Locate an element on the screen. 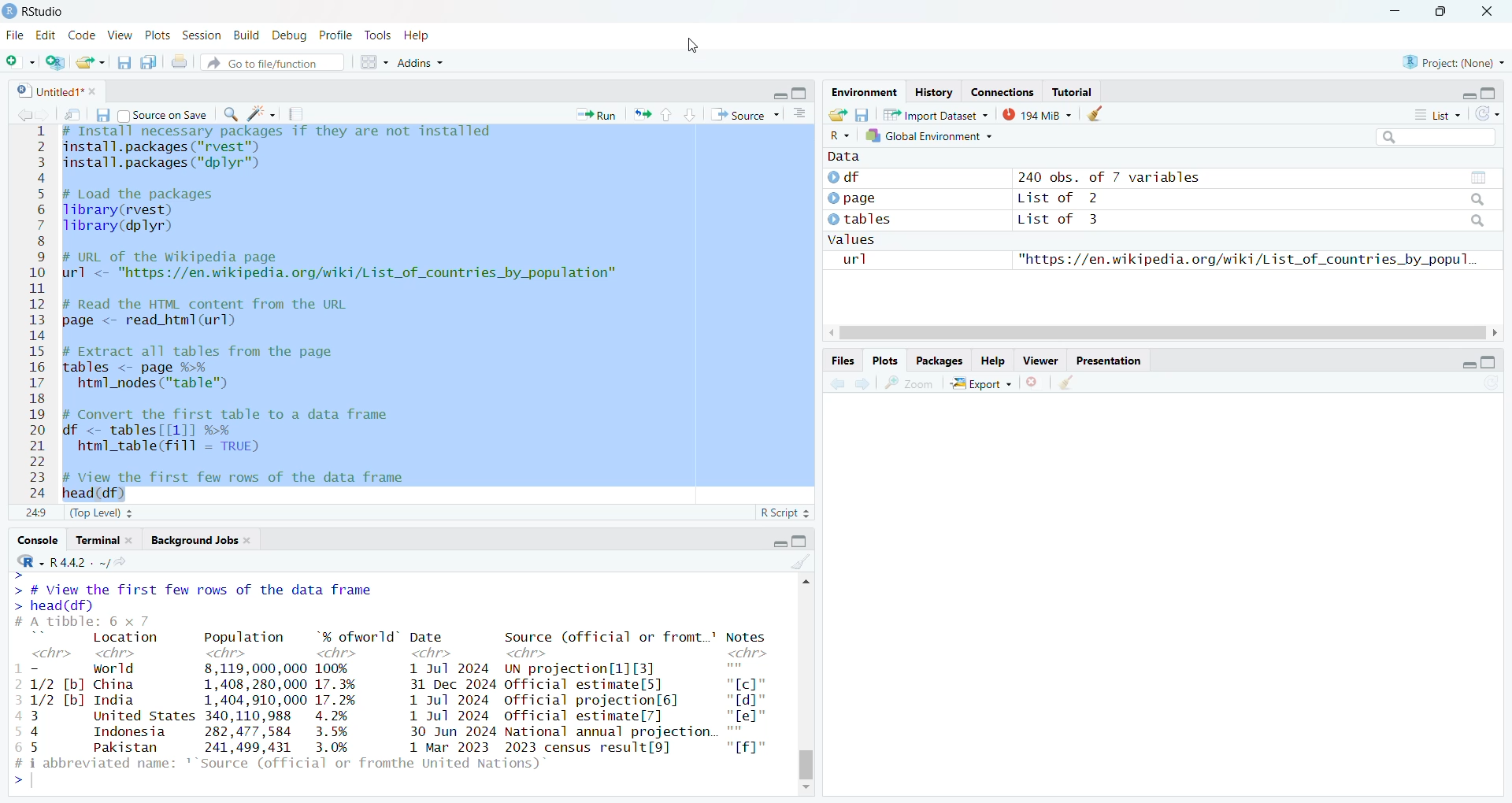  minimize is located at coordinates (1469, 95).